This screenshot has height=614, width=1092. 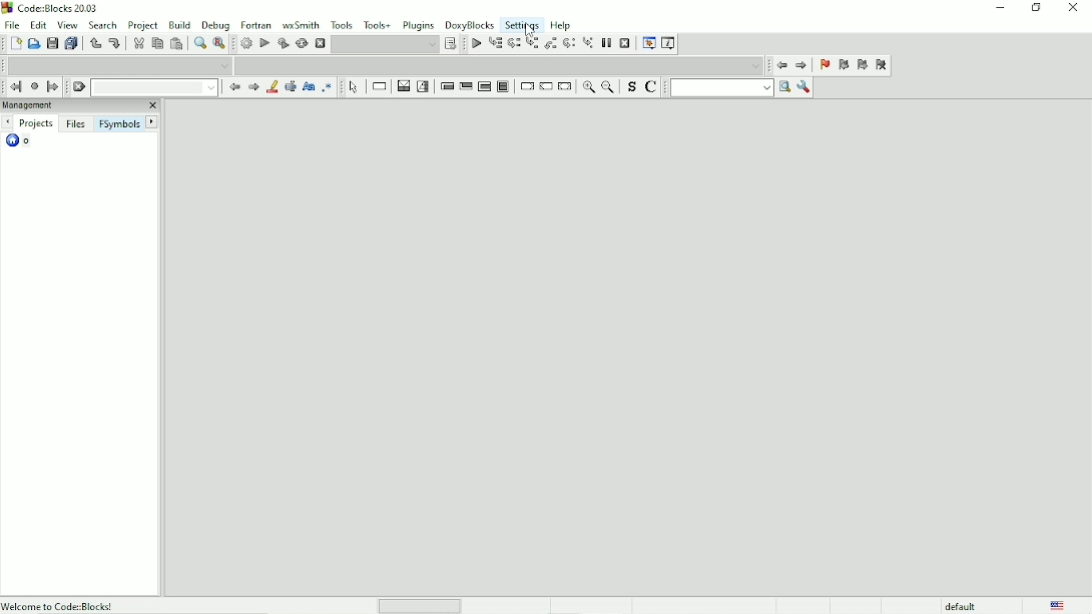 I want to click on Debug, so click(x=216, y=25).